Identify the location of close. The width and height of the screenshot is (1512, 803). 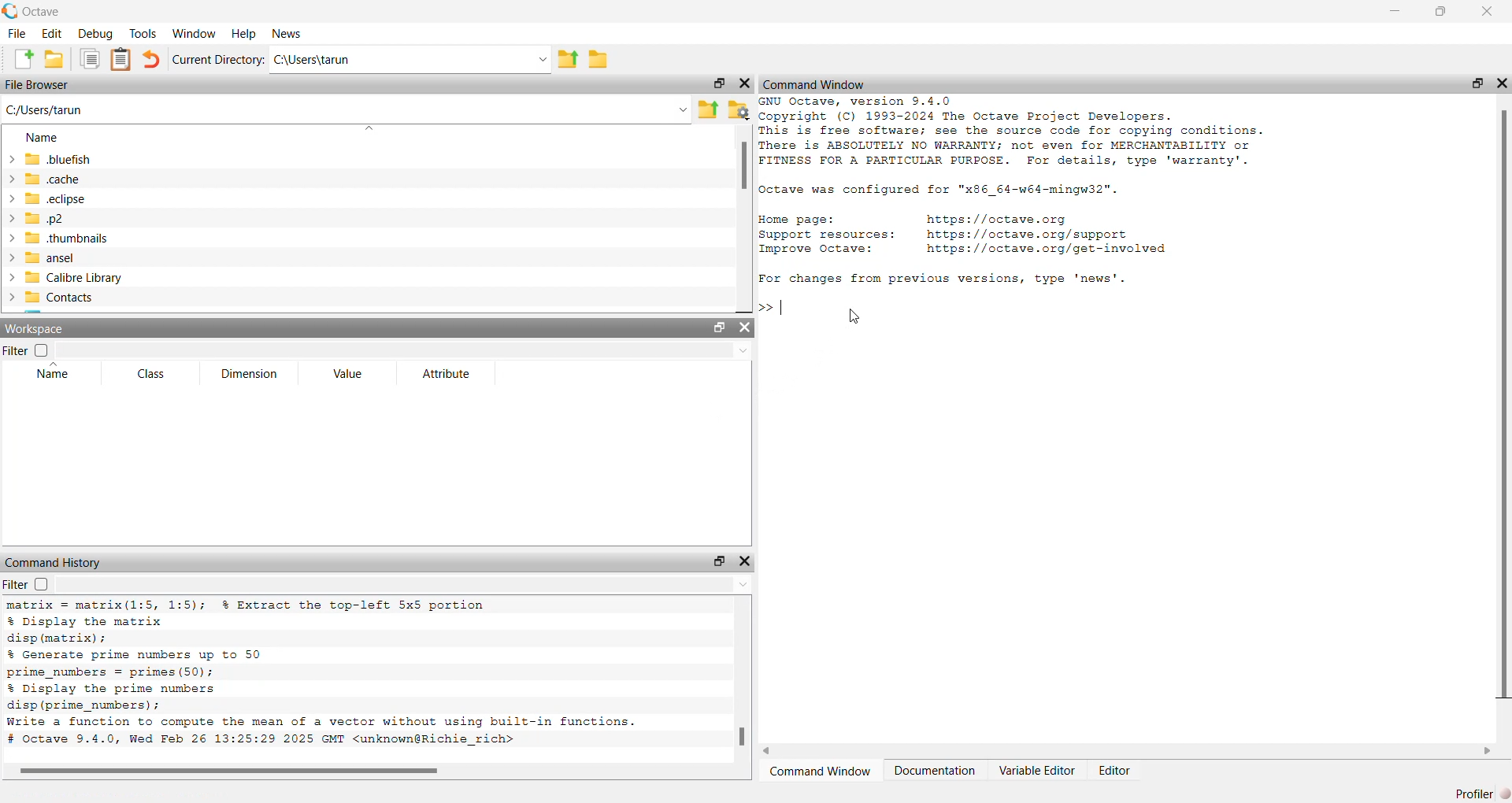
(745, 83).